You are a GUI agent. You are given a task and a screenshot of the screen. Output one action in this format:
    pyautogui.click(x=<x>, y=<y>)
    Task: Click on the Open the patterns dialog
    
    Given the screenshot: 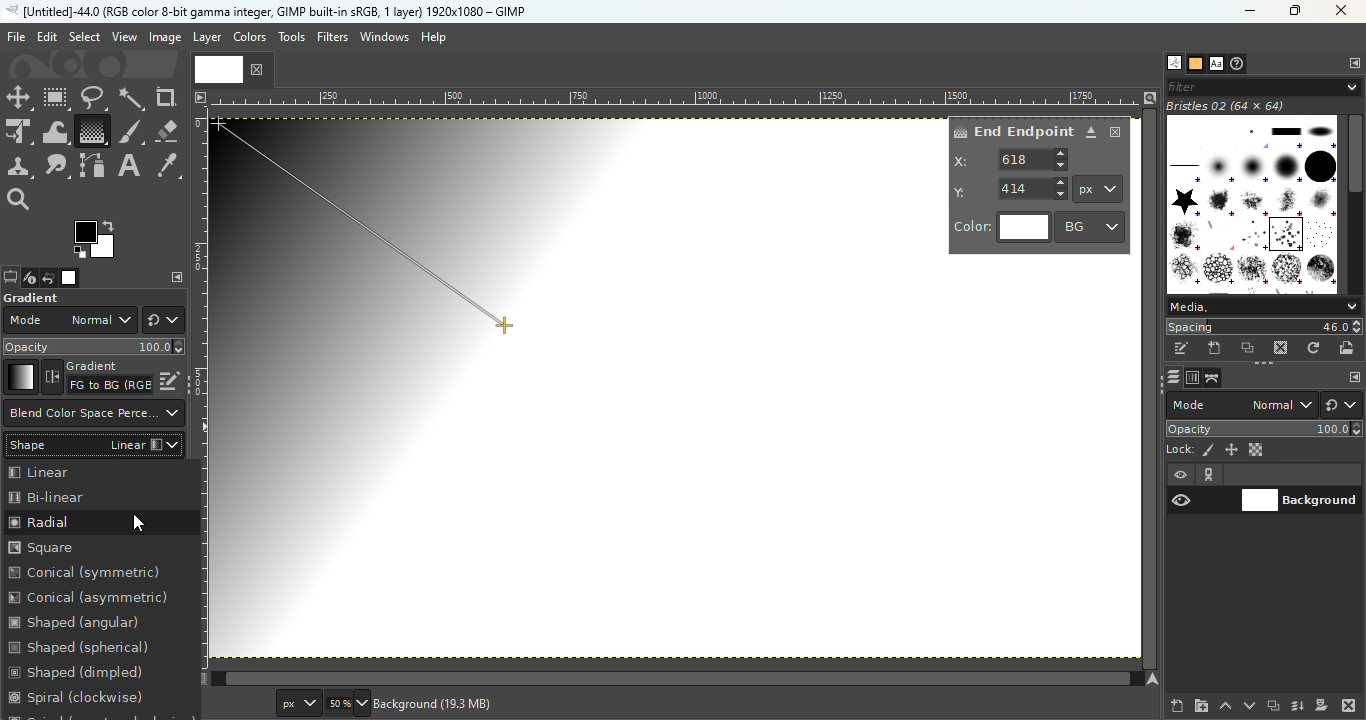 What is the action you would take?
    pyautogui.click(x=1196, y=64)
    